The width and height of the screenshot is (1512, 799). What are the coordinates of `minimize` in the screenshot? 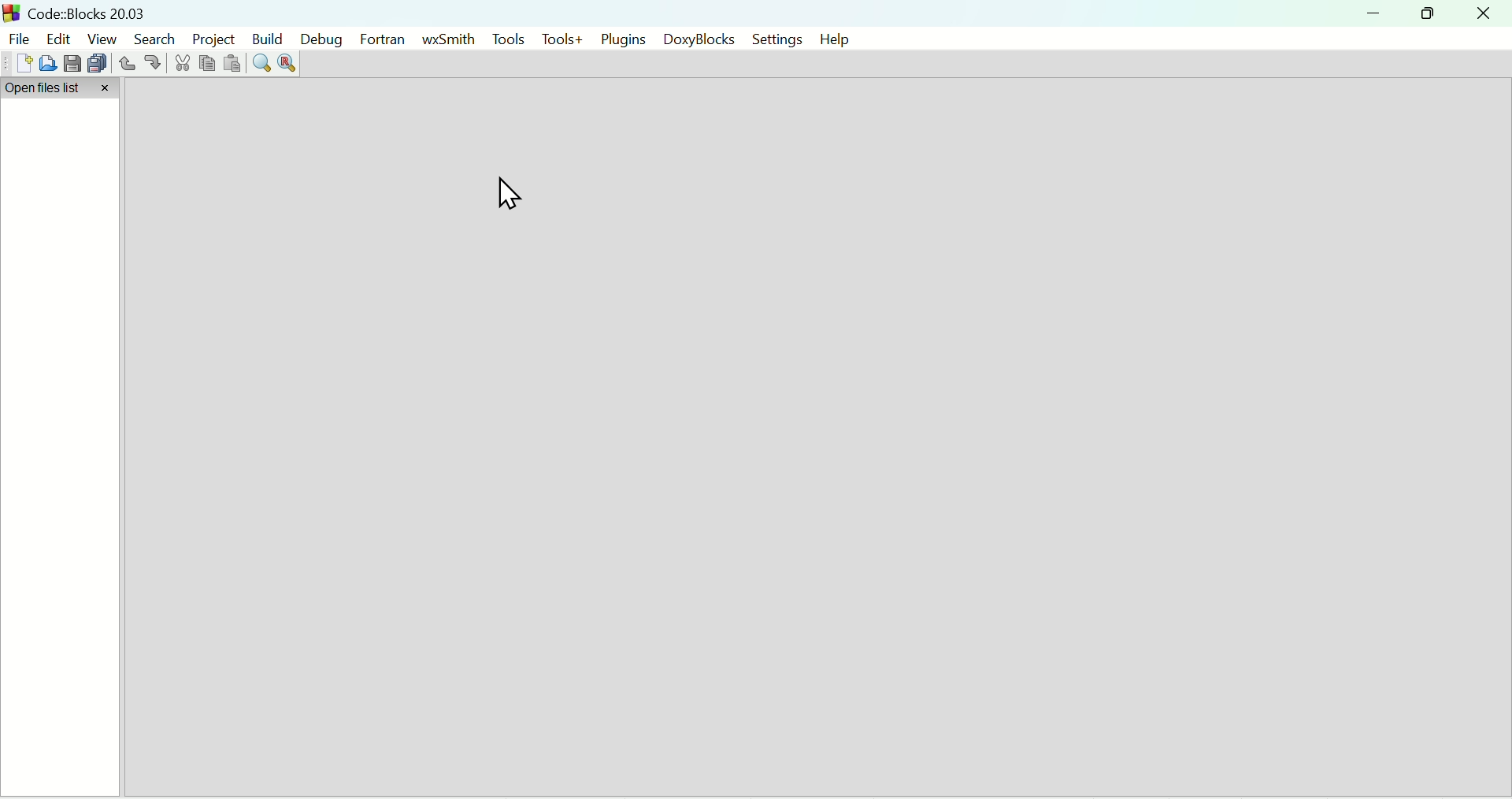 It's located at (1373, 13).